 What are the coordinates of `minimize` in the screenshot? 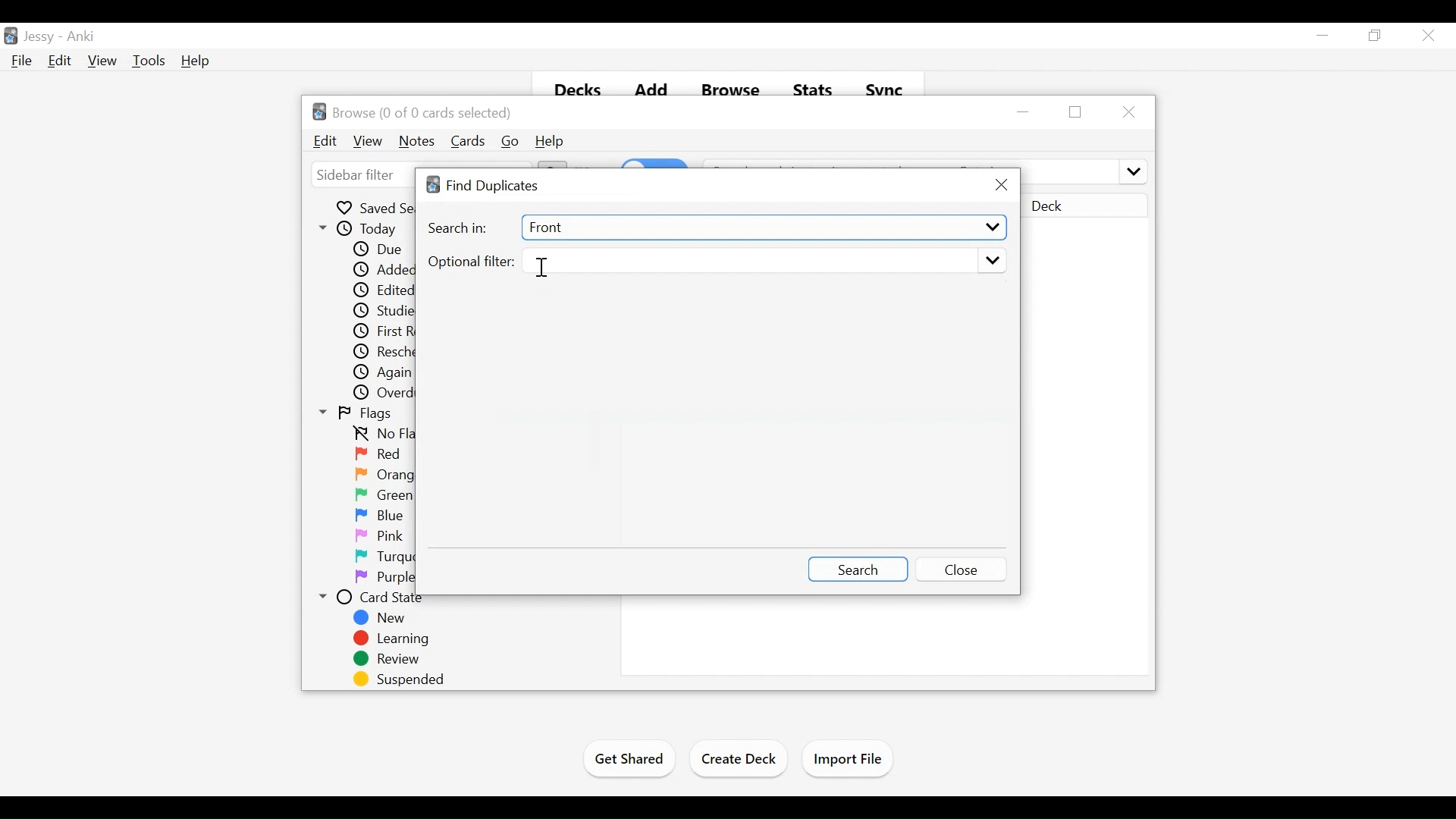 It's located at (1025, 111).